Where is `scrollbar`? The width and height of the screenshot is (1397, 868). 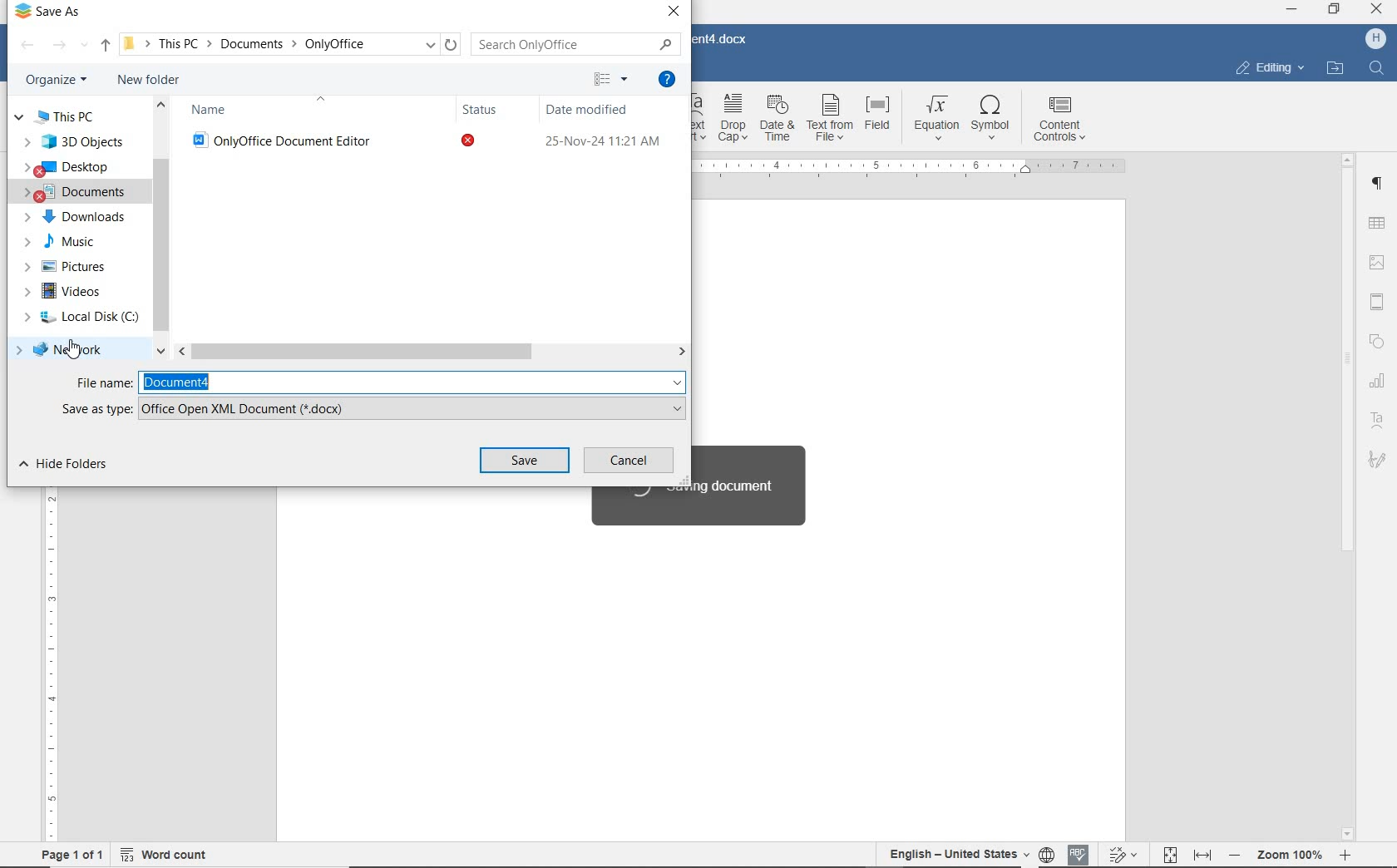
scrollbar is located at coordinates (434, 349).